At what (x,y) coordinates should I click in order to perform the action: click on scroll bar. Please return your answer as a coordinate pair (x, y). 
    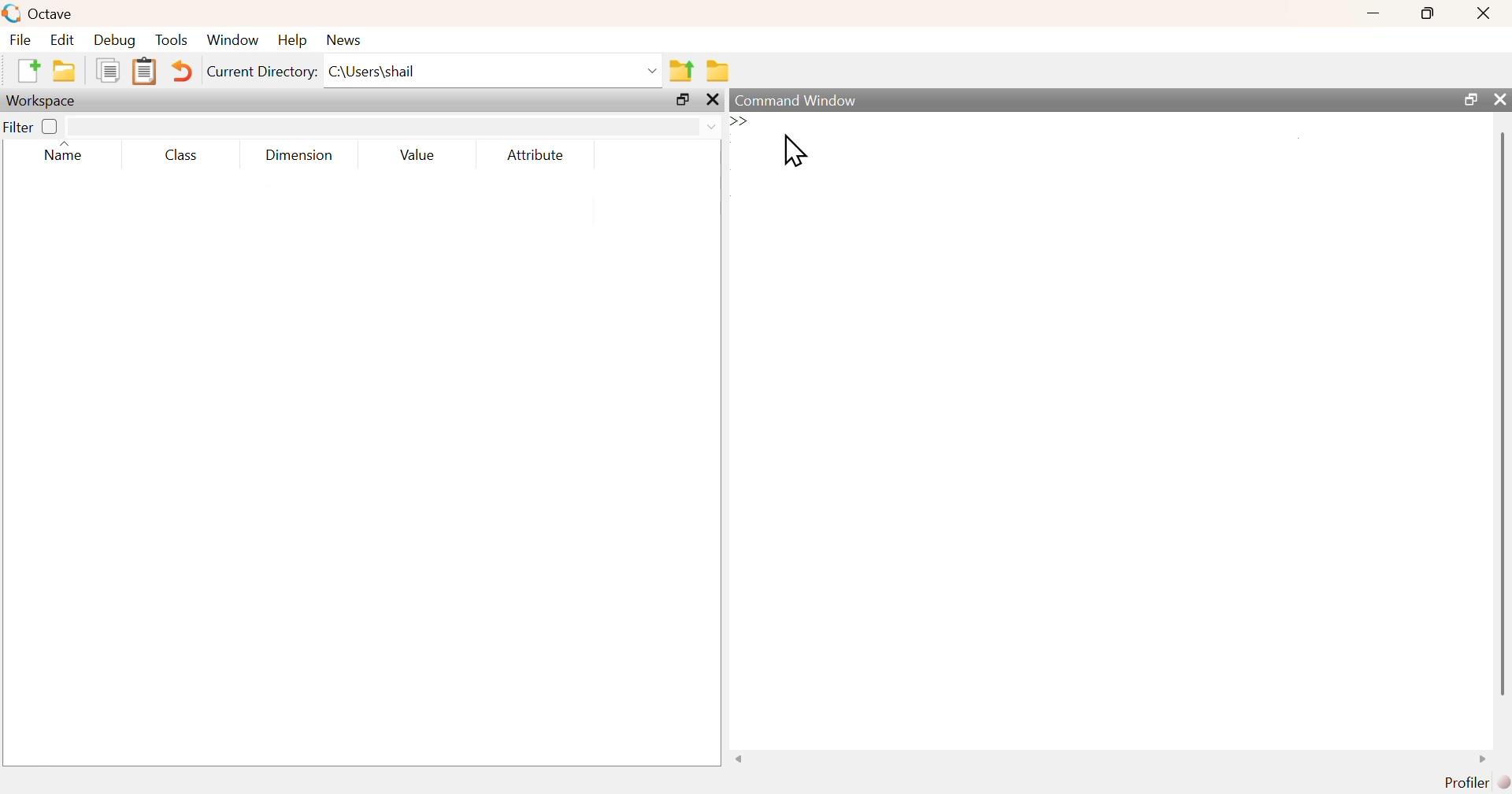
    Looking at the image, I should click on (1499, 413).